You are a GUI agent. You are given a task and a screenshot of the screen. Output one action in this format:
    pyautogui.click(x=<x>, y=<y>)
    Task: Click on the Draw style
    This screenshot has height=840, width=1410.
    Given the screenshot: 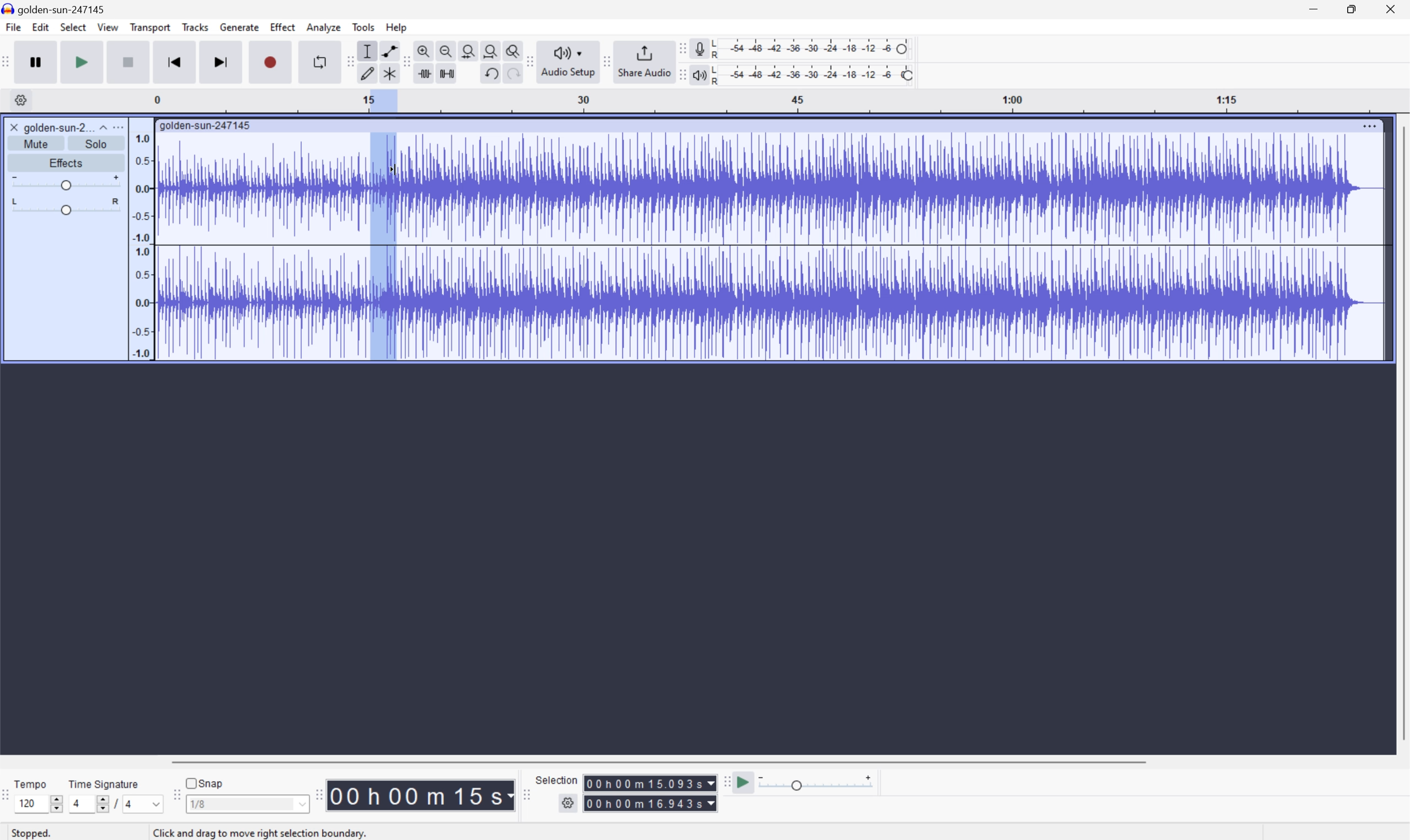 What is the action you would take?
    pyautogui.click(x=369, y=72)
    